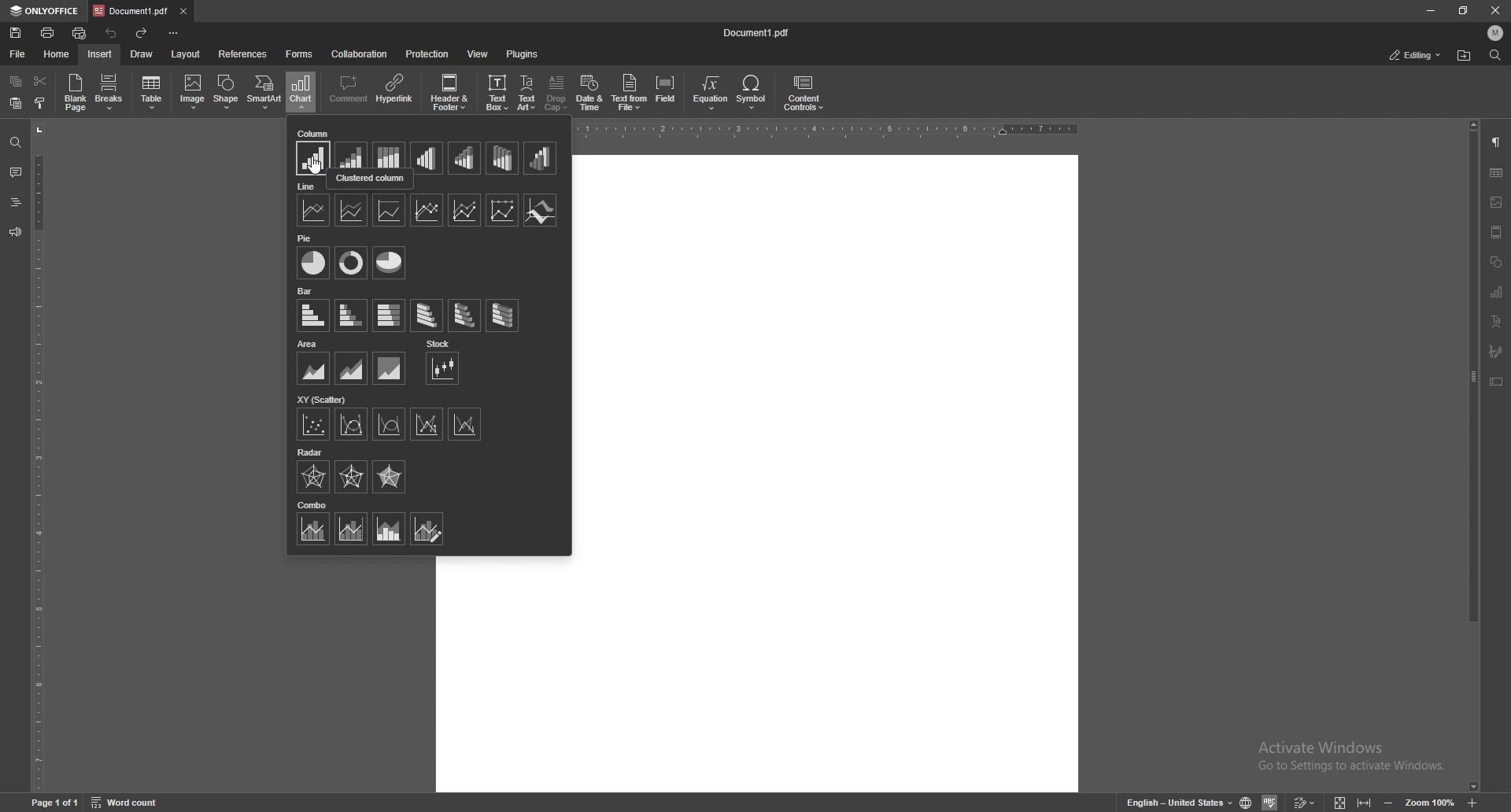  I want to click on image, so click(1498, 202).